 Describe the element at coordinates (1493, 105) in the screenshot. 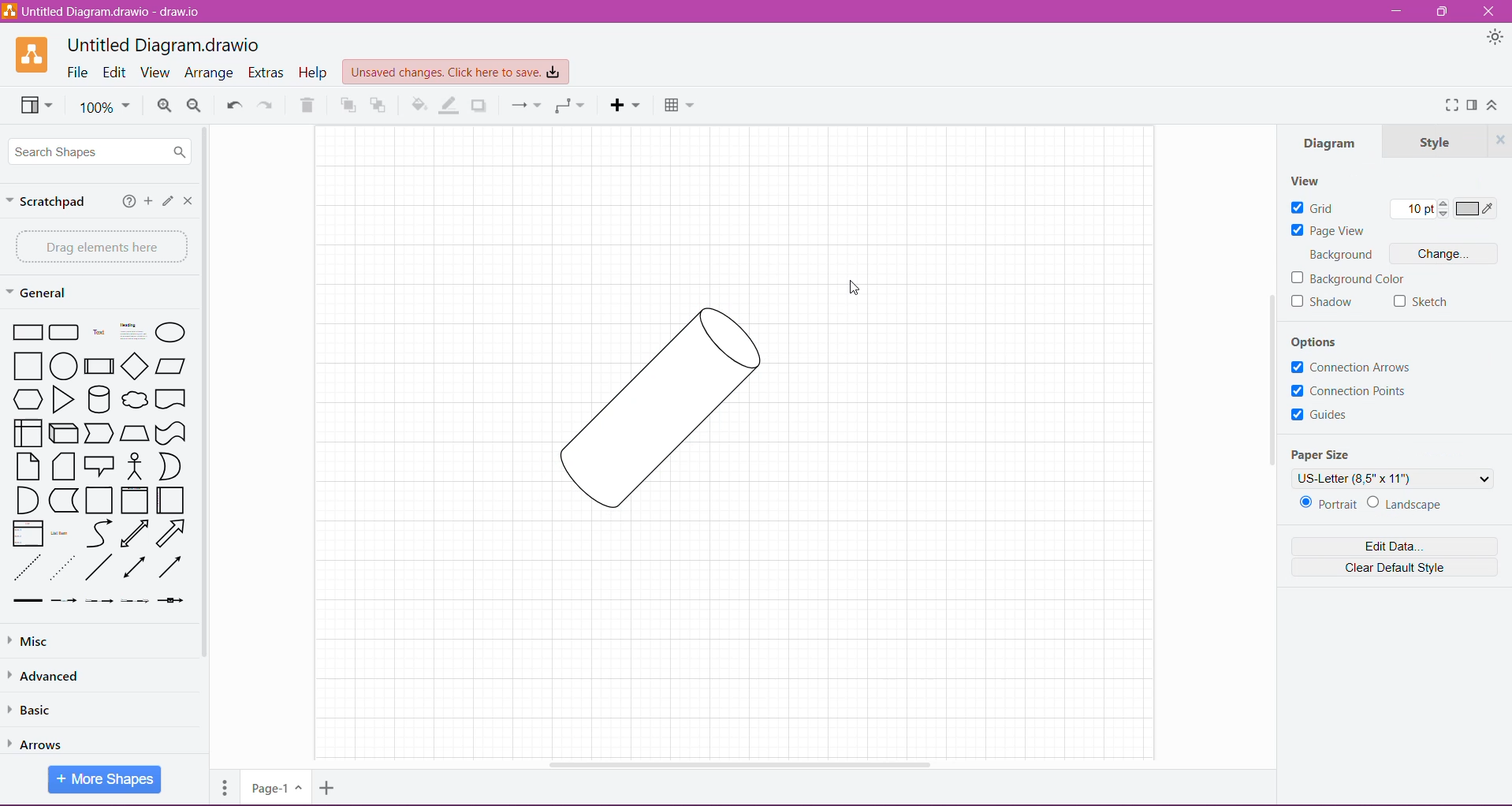

I see `Collapse/Expand` at that location.